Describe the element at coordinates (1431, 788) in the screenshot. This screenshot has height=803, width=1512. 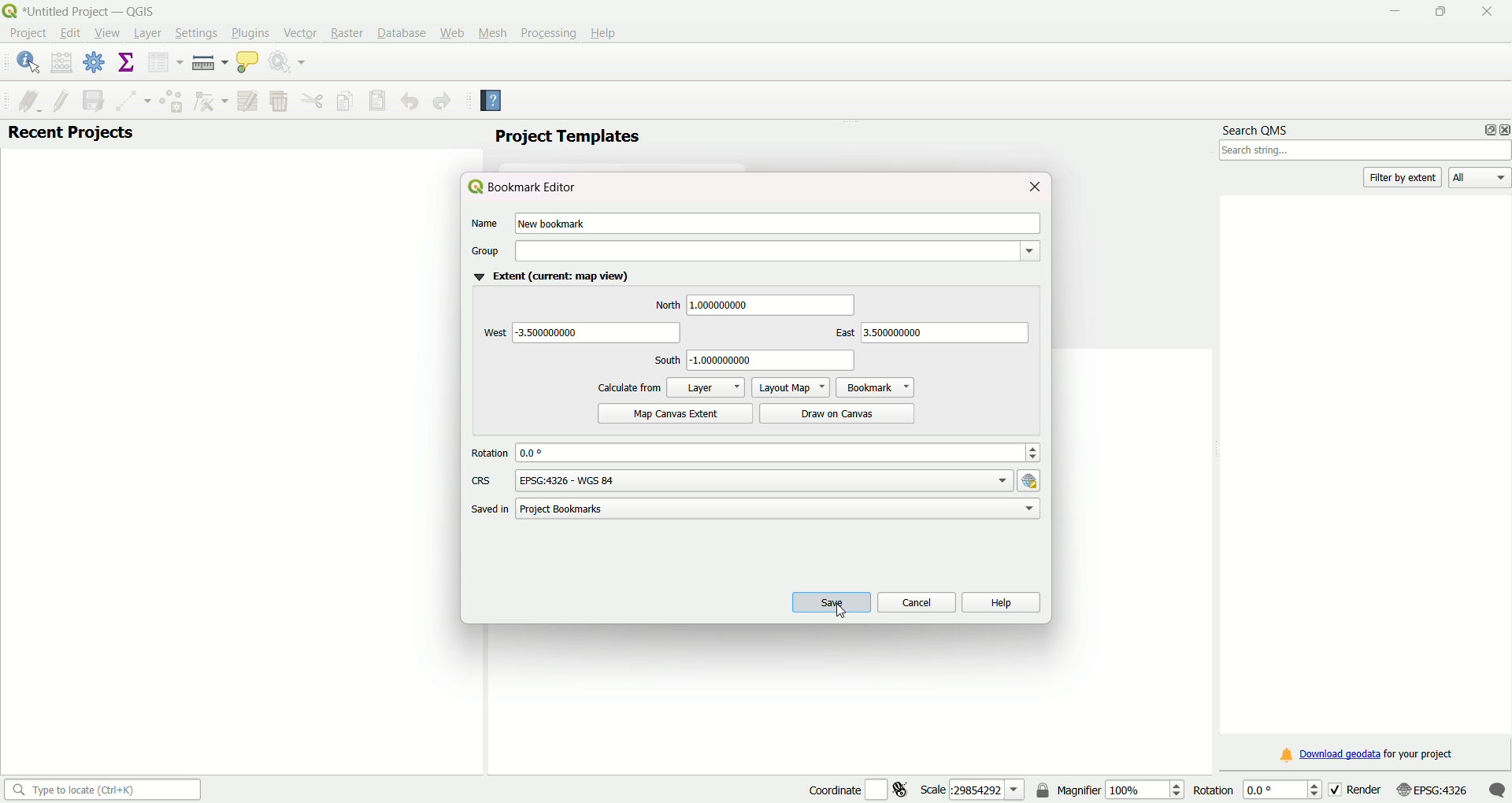
I see `current CRS` at that location.